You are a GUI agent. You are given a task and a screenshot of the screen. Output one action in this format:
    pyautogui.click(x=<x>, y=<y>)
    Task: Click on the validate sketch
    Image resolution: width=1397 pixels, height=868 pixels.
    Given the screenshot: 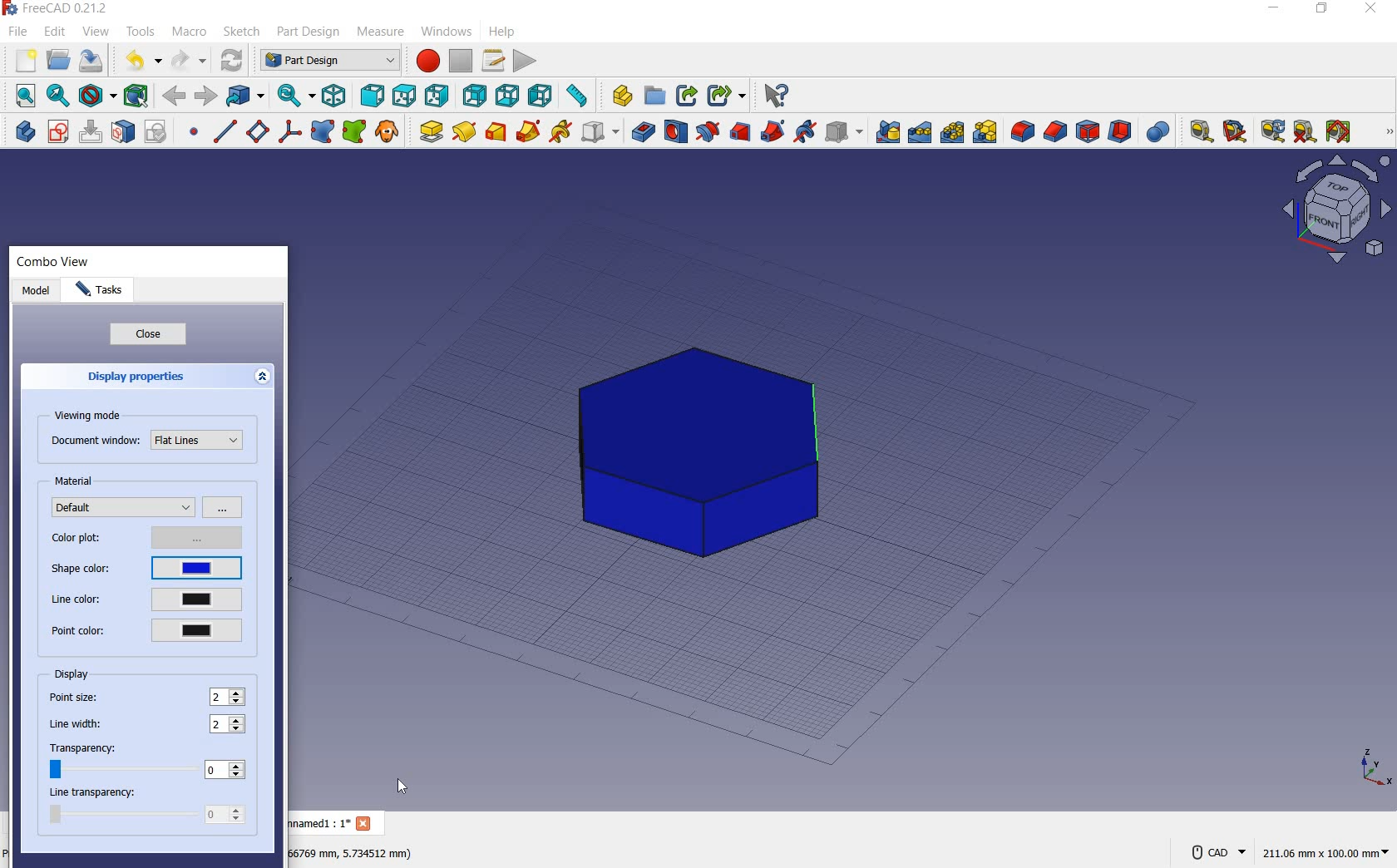 What is the action you would take?
    pyautogui.click(x=159, y=131)
    